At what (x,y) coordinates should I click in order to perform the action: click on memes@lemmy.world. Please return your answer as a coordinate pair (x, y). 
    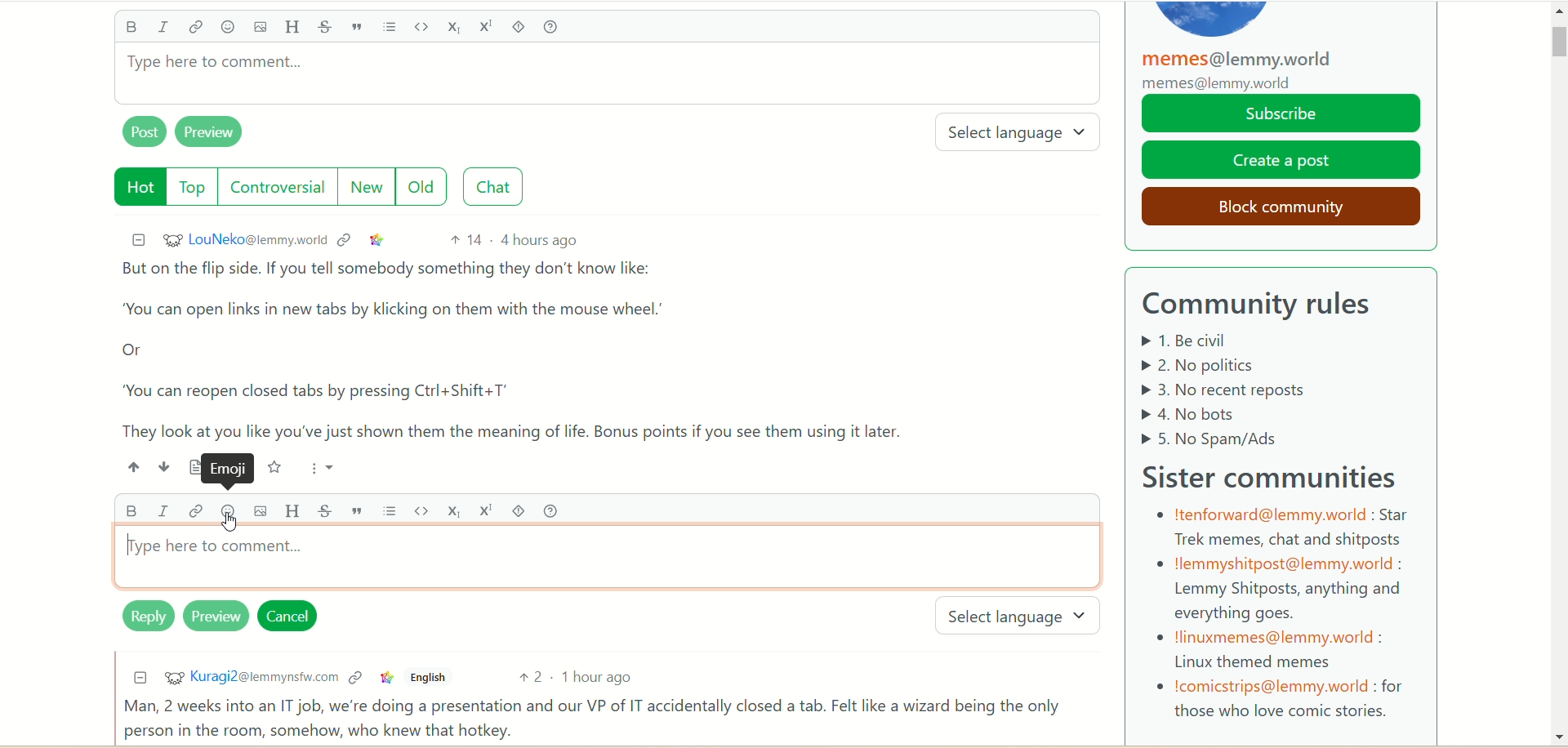
    Looking at the image, I should click on (1243, 70).